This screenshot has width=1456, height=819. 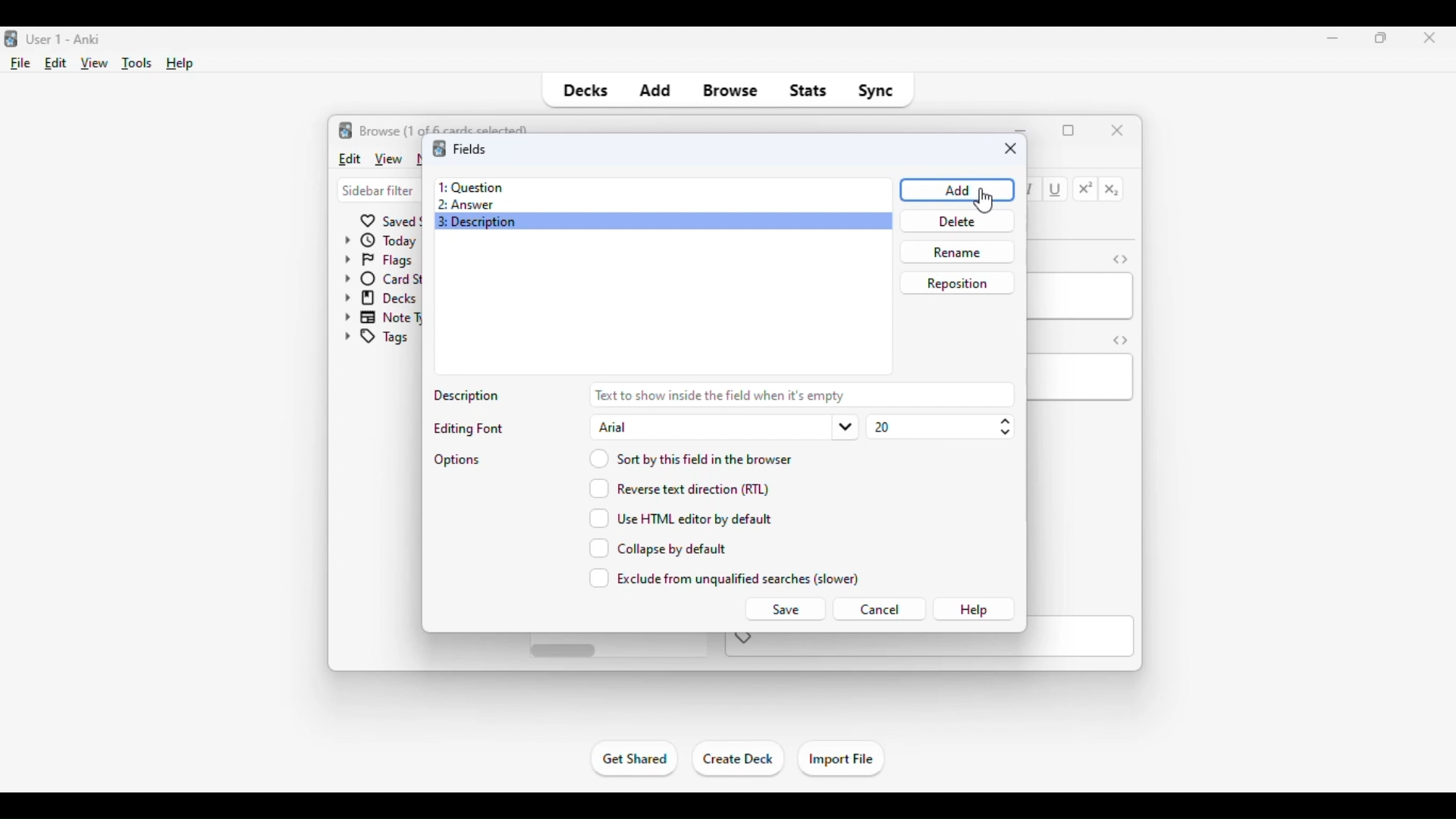 What do you see at coordinates (840, 760) in the screenshot?
I see `import file` at bounding box center [840, 760].